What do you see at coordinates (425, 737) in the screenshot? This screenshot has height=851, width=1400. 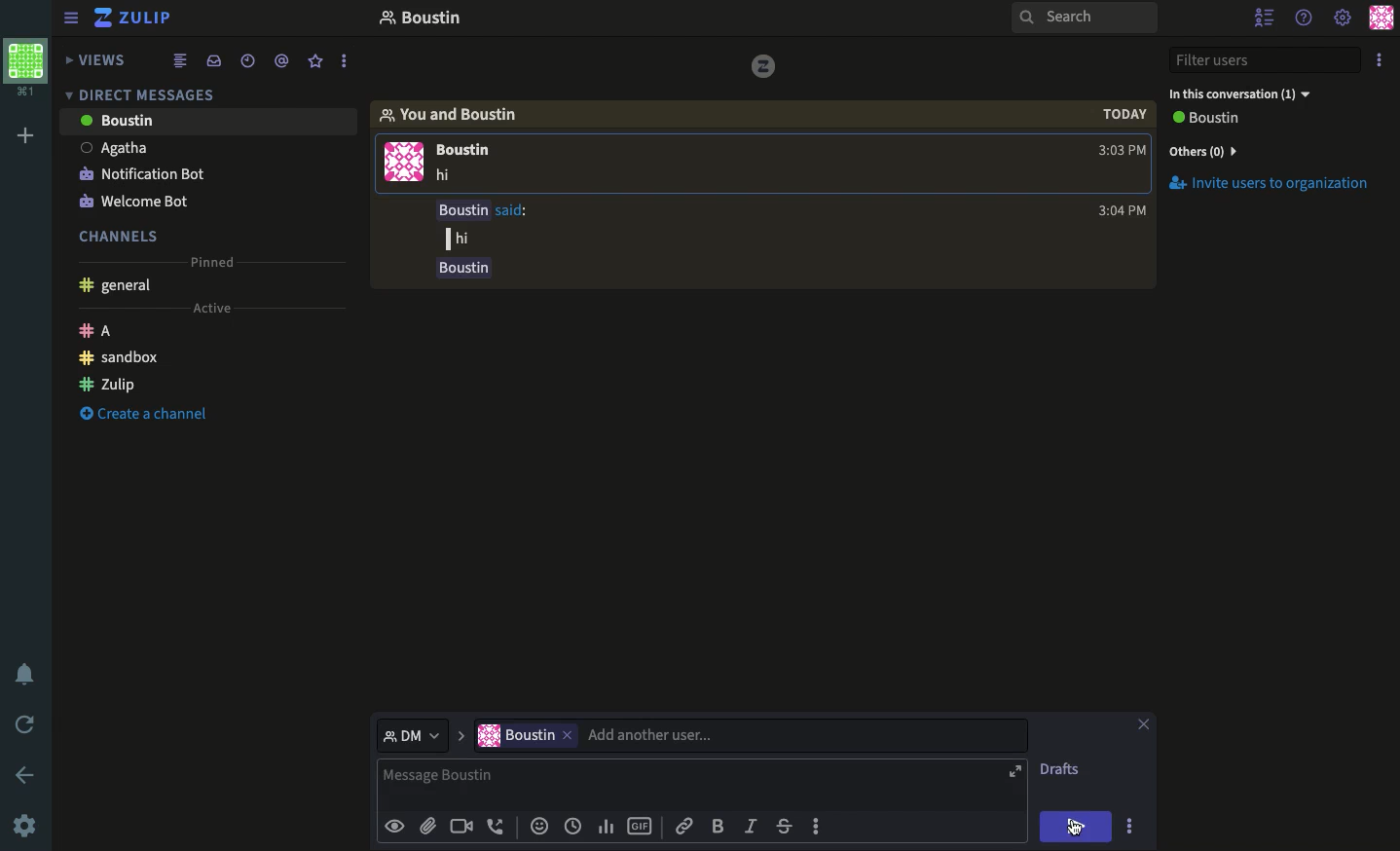 I see `Thread dropdown` at bounding box center [425, 737].